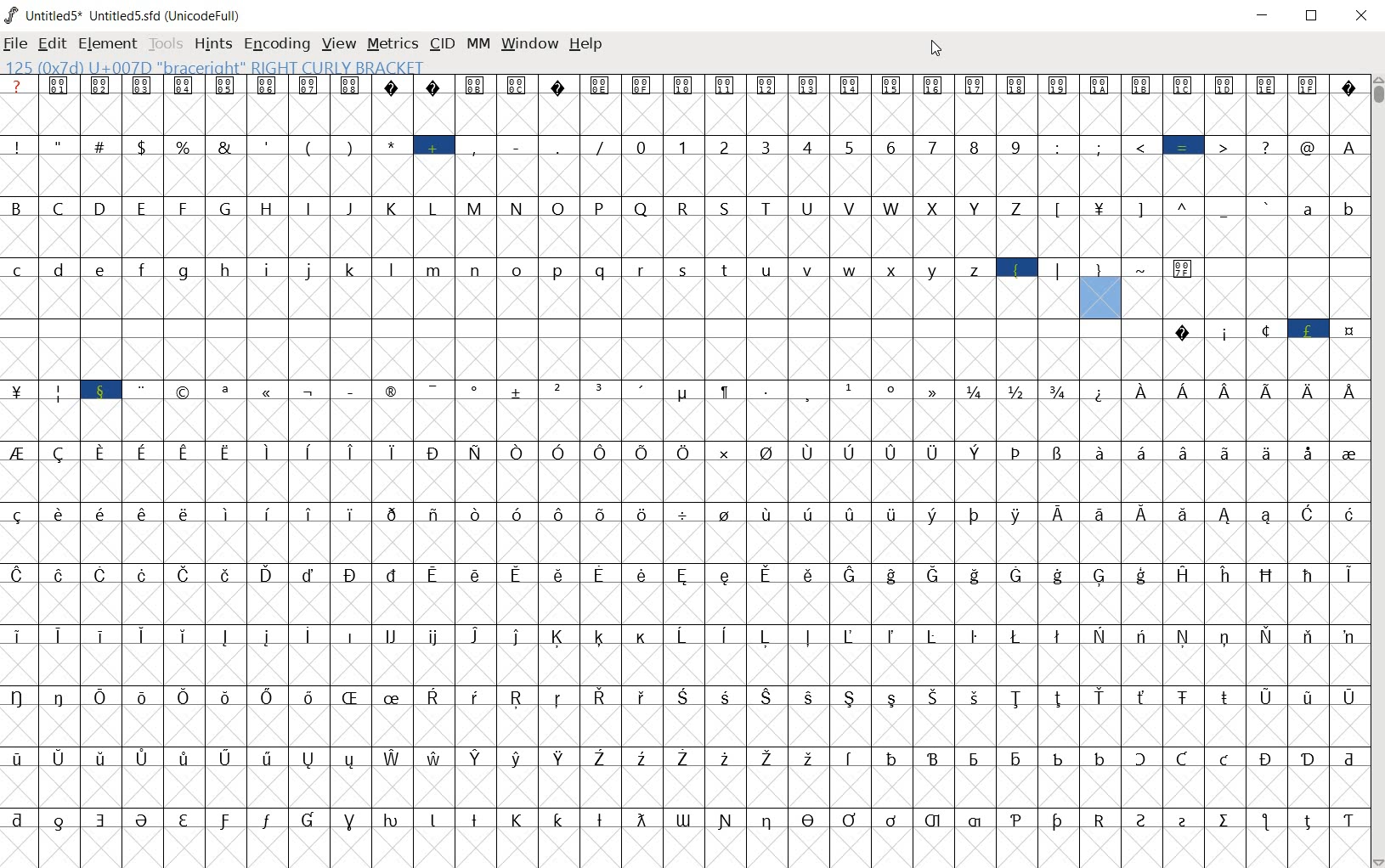  What do you see at coordinates (336, 42) in the screenshot?
I see `VIEW` at bounding box center [336, 42].